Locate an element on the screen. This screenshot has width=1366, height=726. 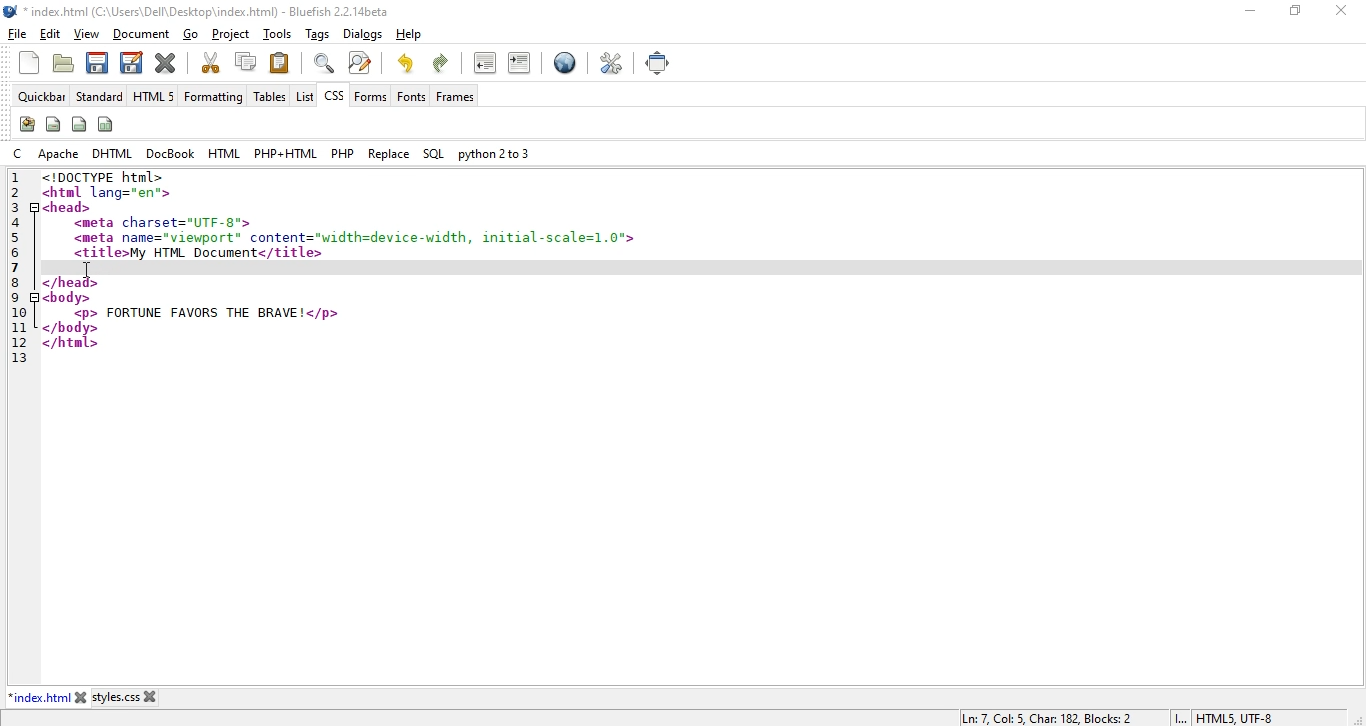
php-html is located at coordinates (285, 154).